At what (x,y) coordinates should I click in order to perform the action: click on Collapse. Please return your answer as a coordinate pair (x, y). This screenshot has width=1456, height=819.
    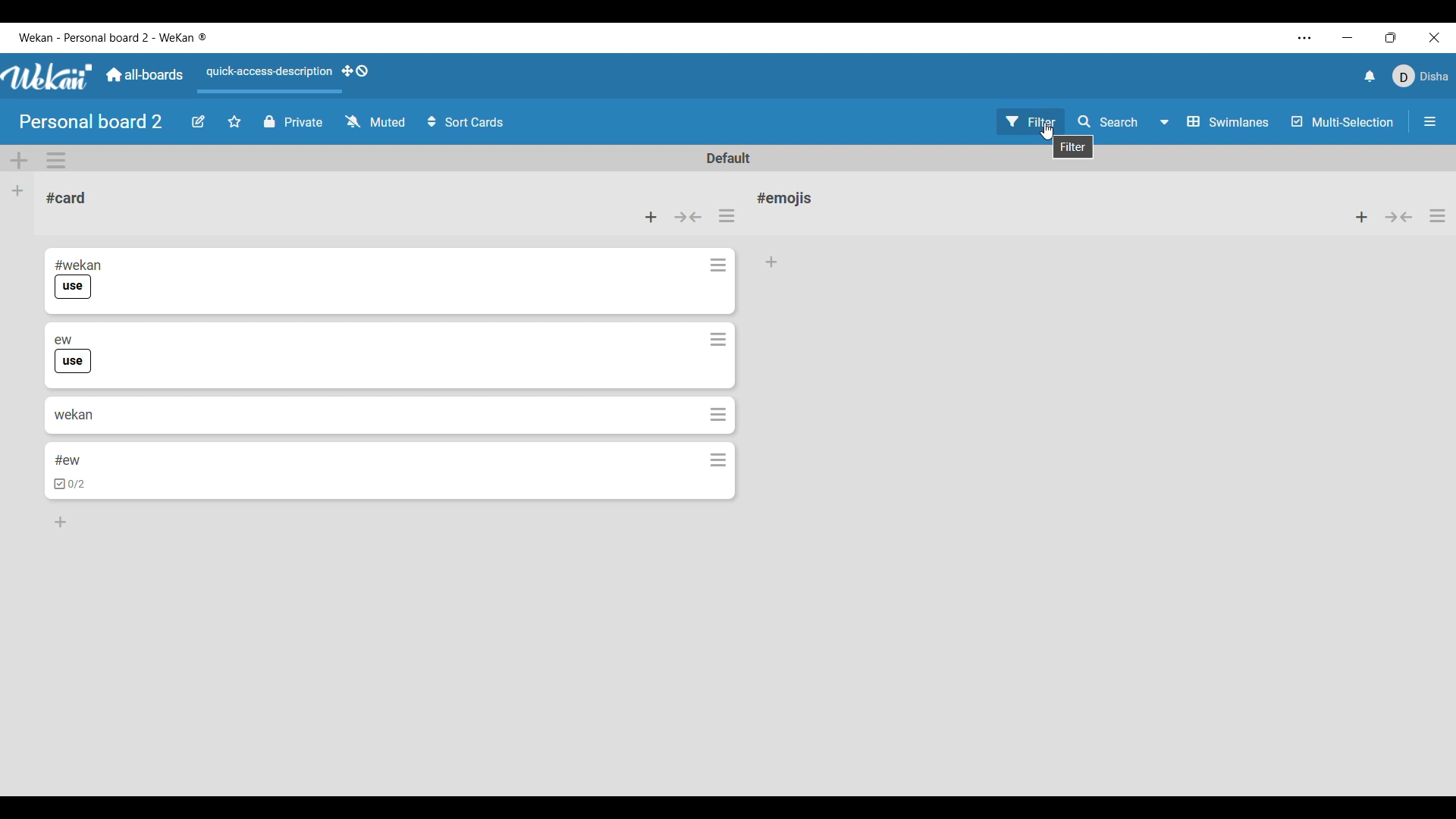
    Looking at the image, I should click on (689, 217).